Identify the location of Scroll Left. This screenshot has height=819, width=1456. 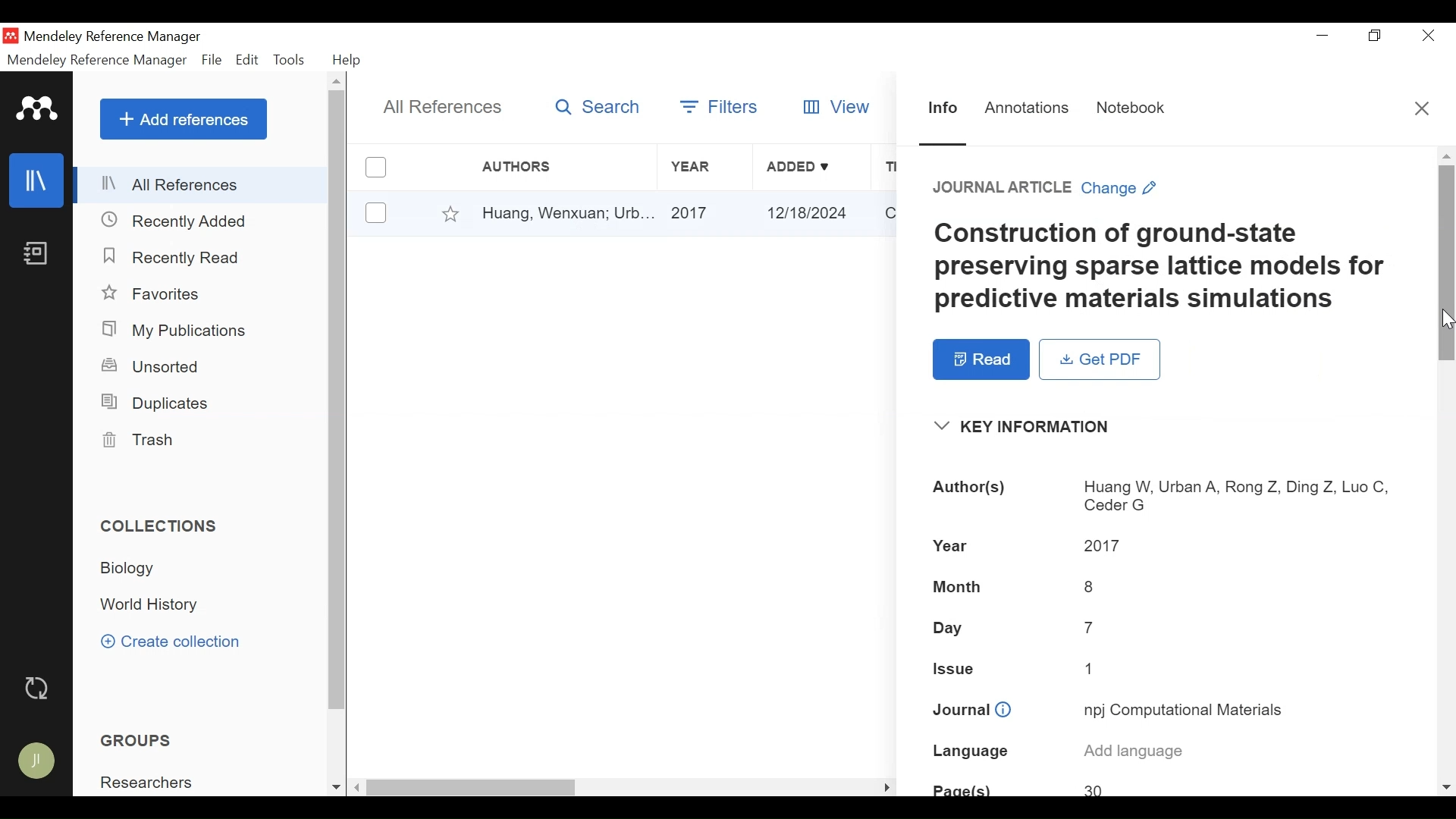
(358, 788).